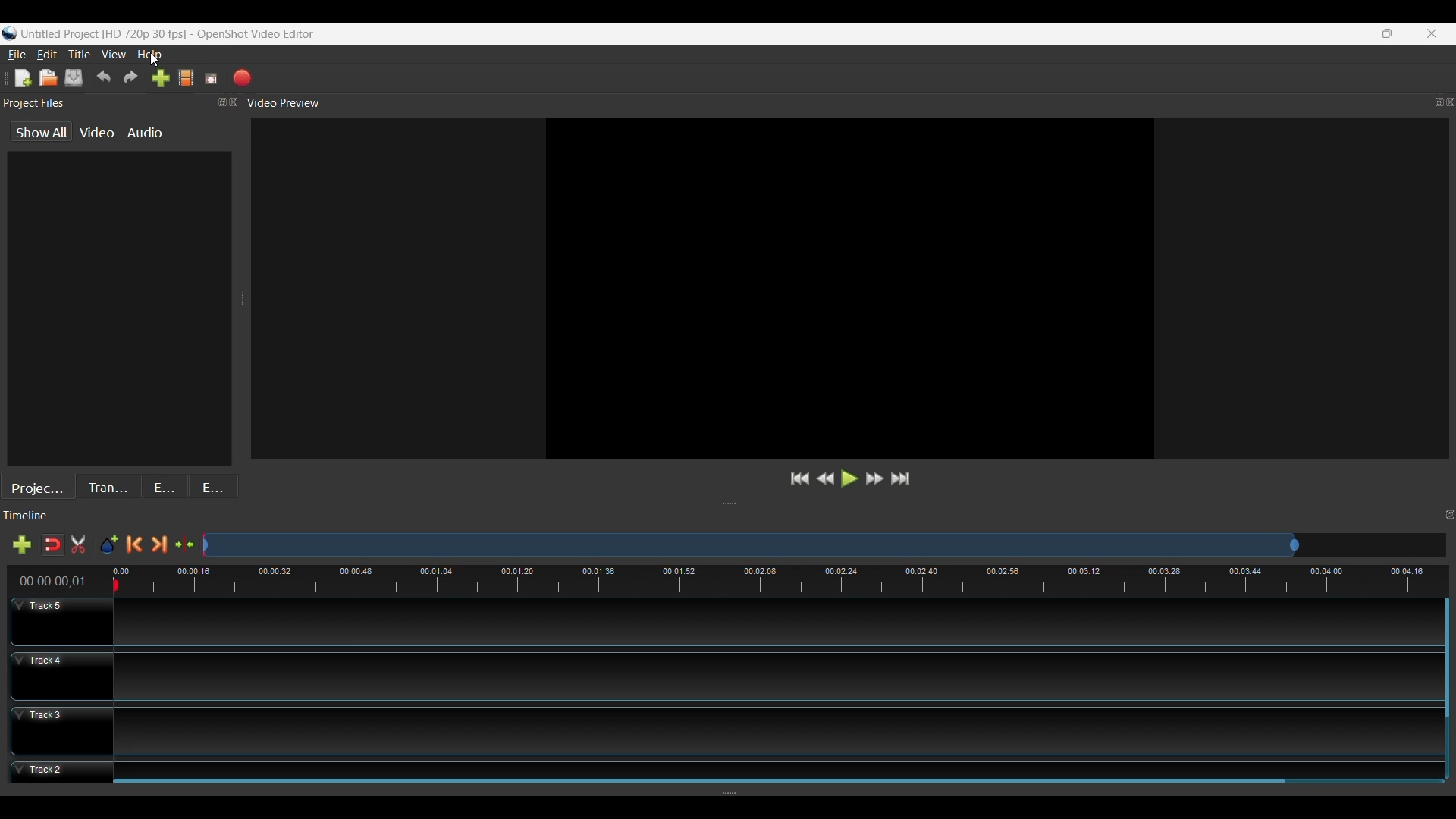  What do you see at coordinates (79, 55) in the screenshot?
I see `Title` at bounding box center [79, 55].